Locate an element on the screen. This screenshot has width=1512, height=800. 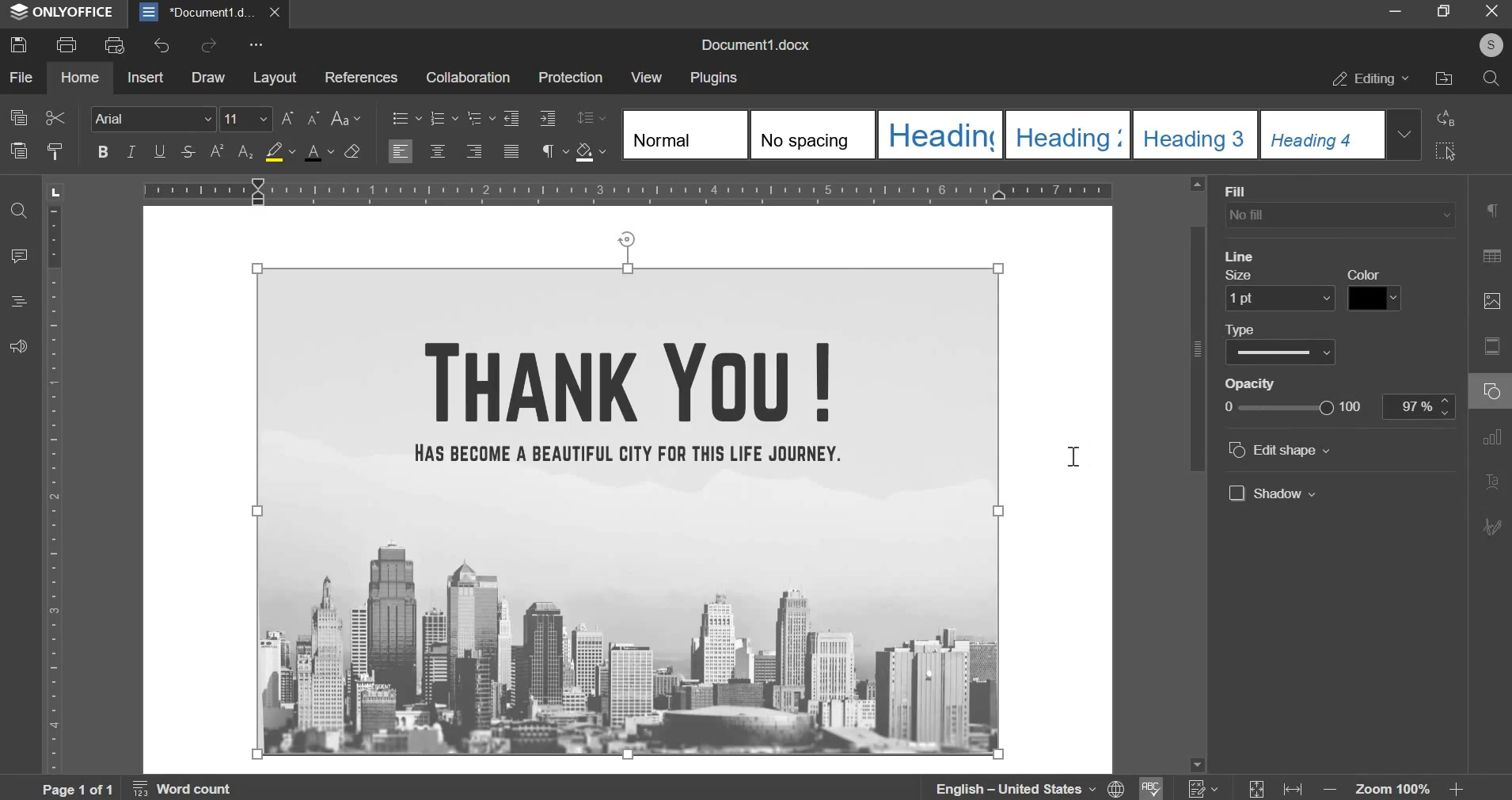
bullets is located at coordinates (406, 118).